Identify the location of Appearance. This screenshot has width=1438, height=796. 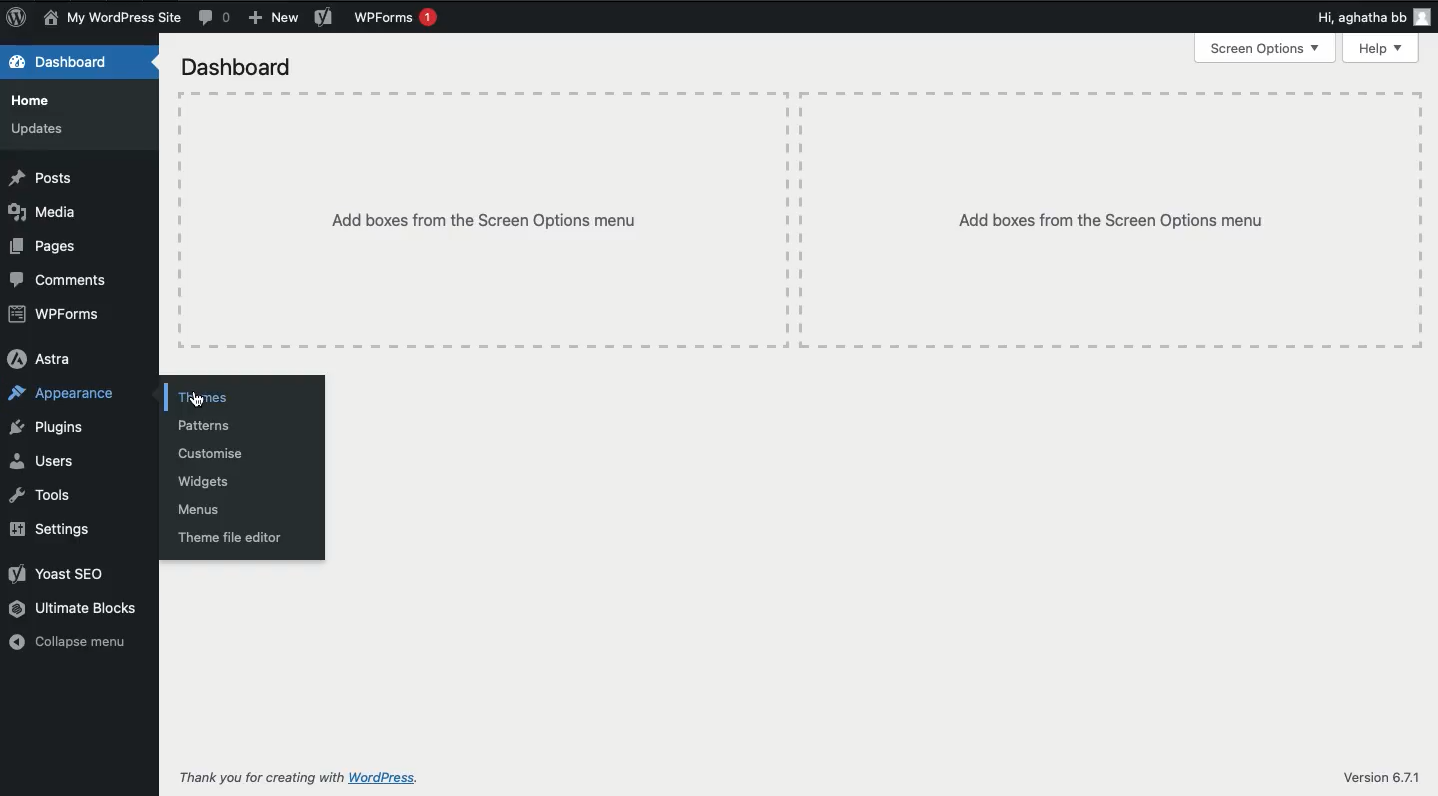
(64, 395).